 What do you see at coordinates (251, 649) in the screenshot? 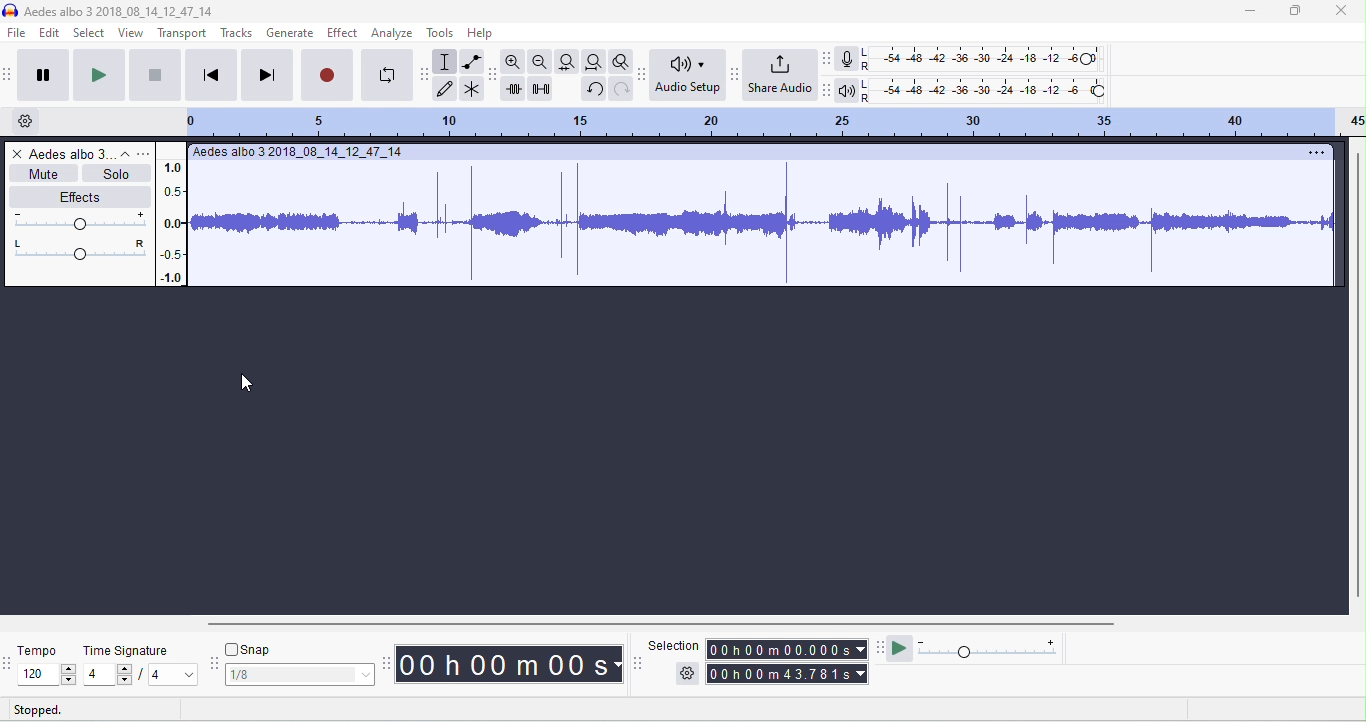
I see `snap` at bounding box center [251, 649].